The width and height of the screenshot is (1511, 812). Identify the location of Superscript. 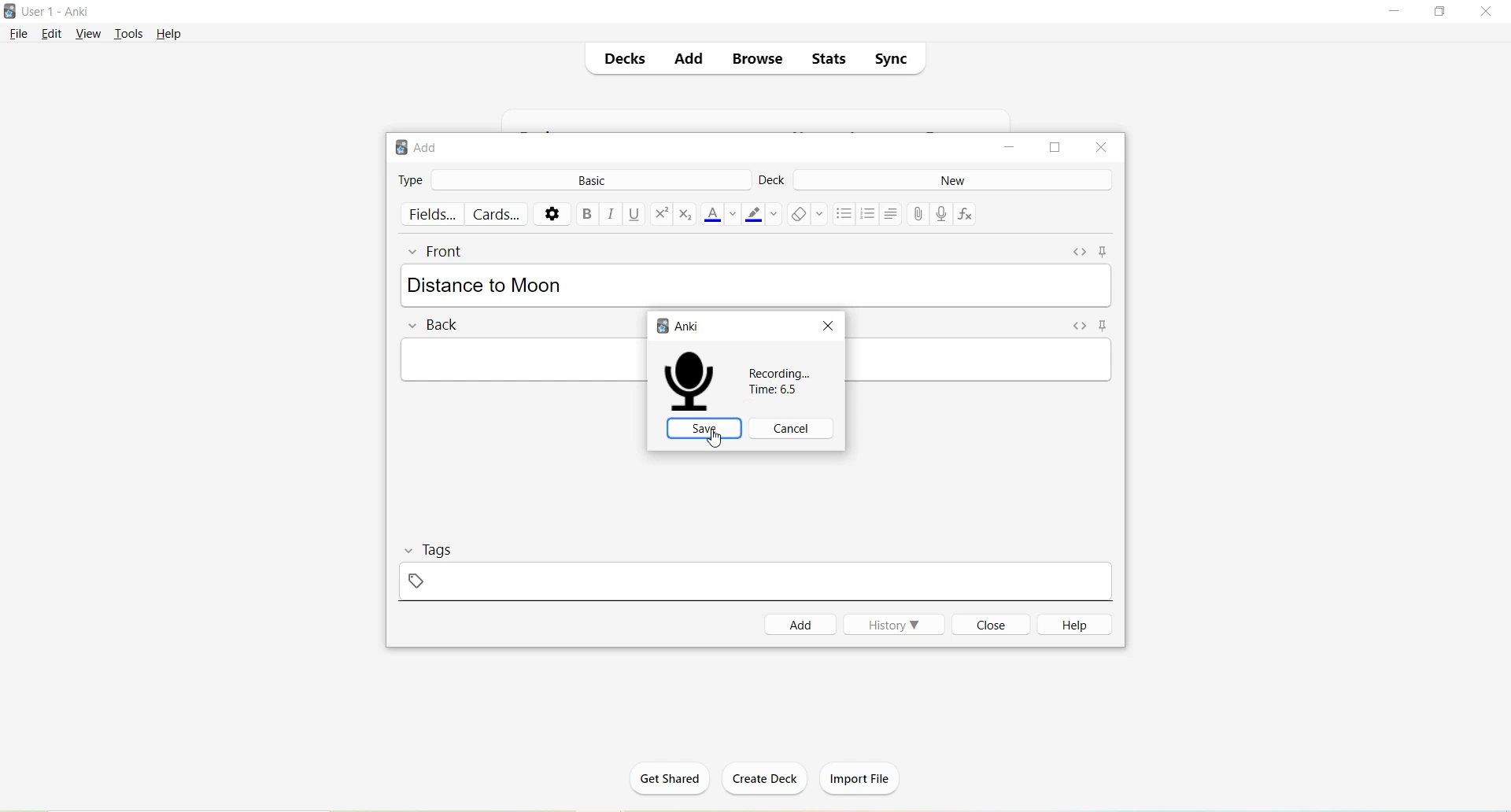
(661, 216).